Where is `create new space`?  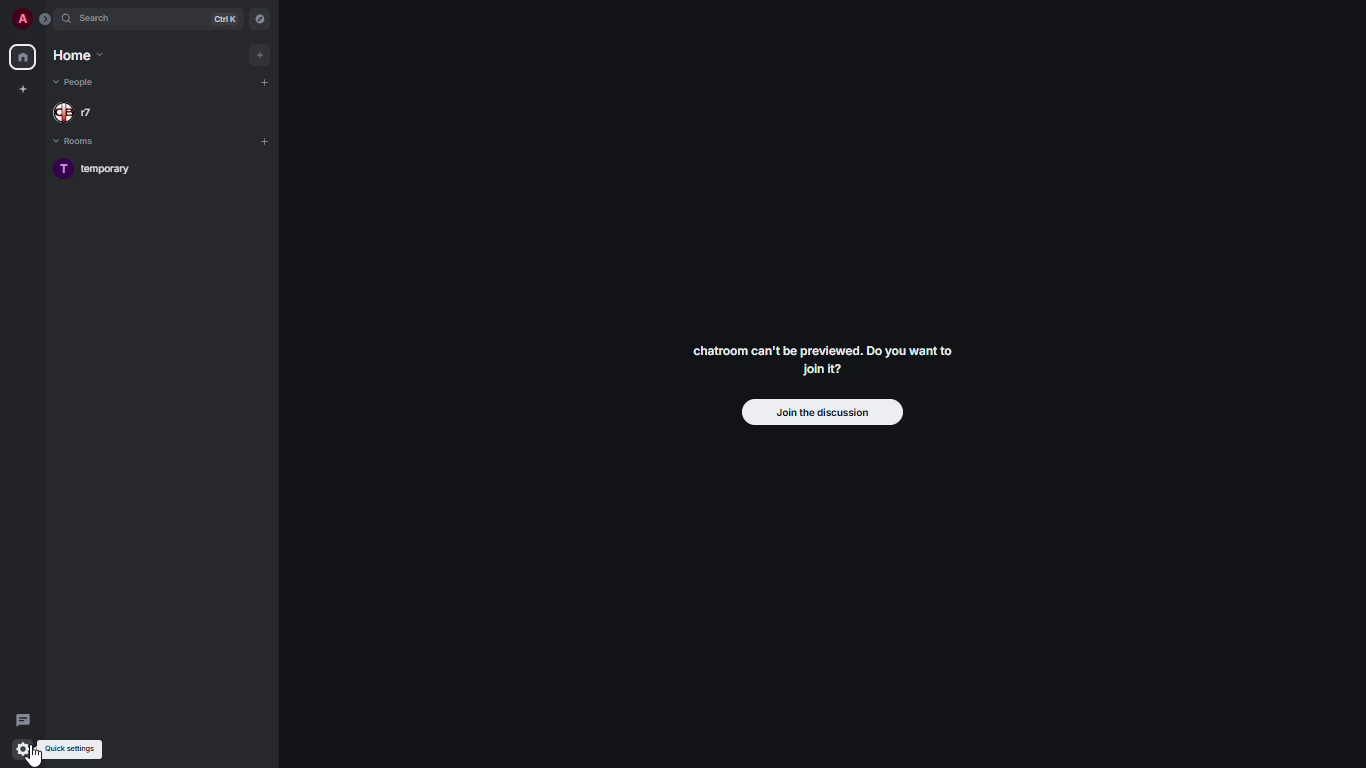
create new space is located at coordinates (25, 88).